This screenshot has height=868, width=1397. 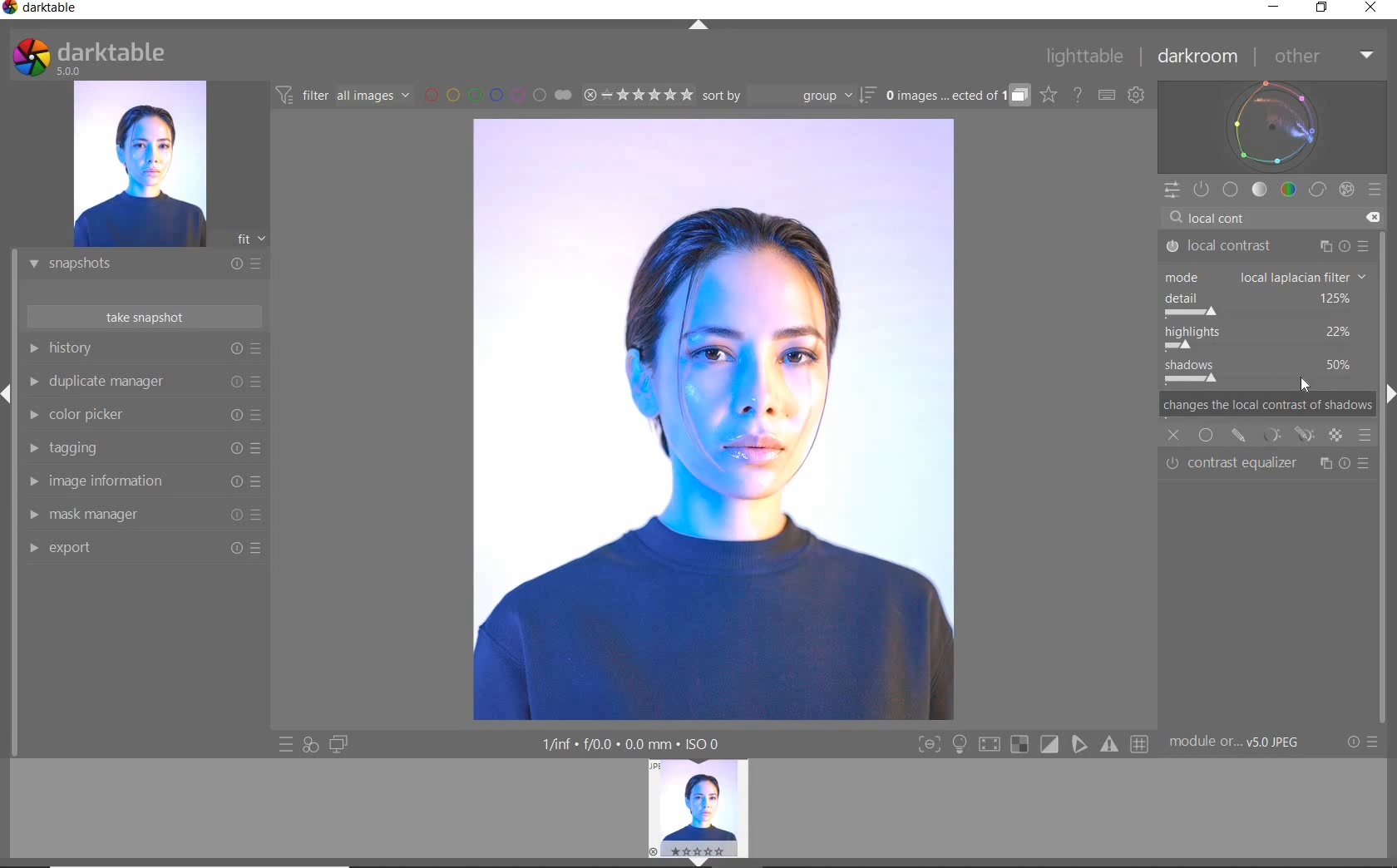 I want to click on detail, so click(x=1266, y=304).